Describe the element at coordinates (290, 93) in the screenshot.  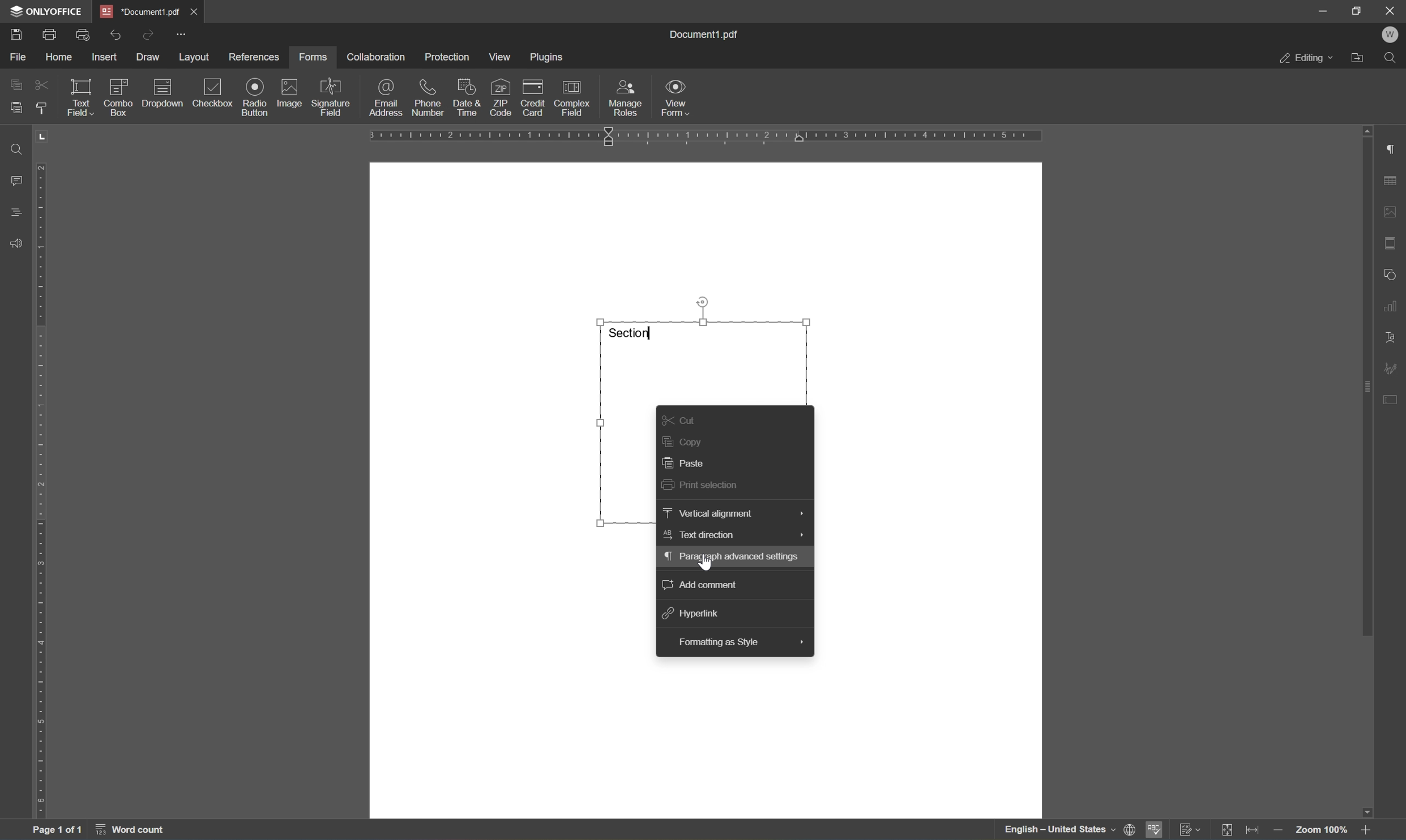
I see `image` at that location.